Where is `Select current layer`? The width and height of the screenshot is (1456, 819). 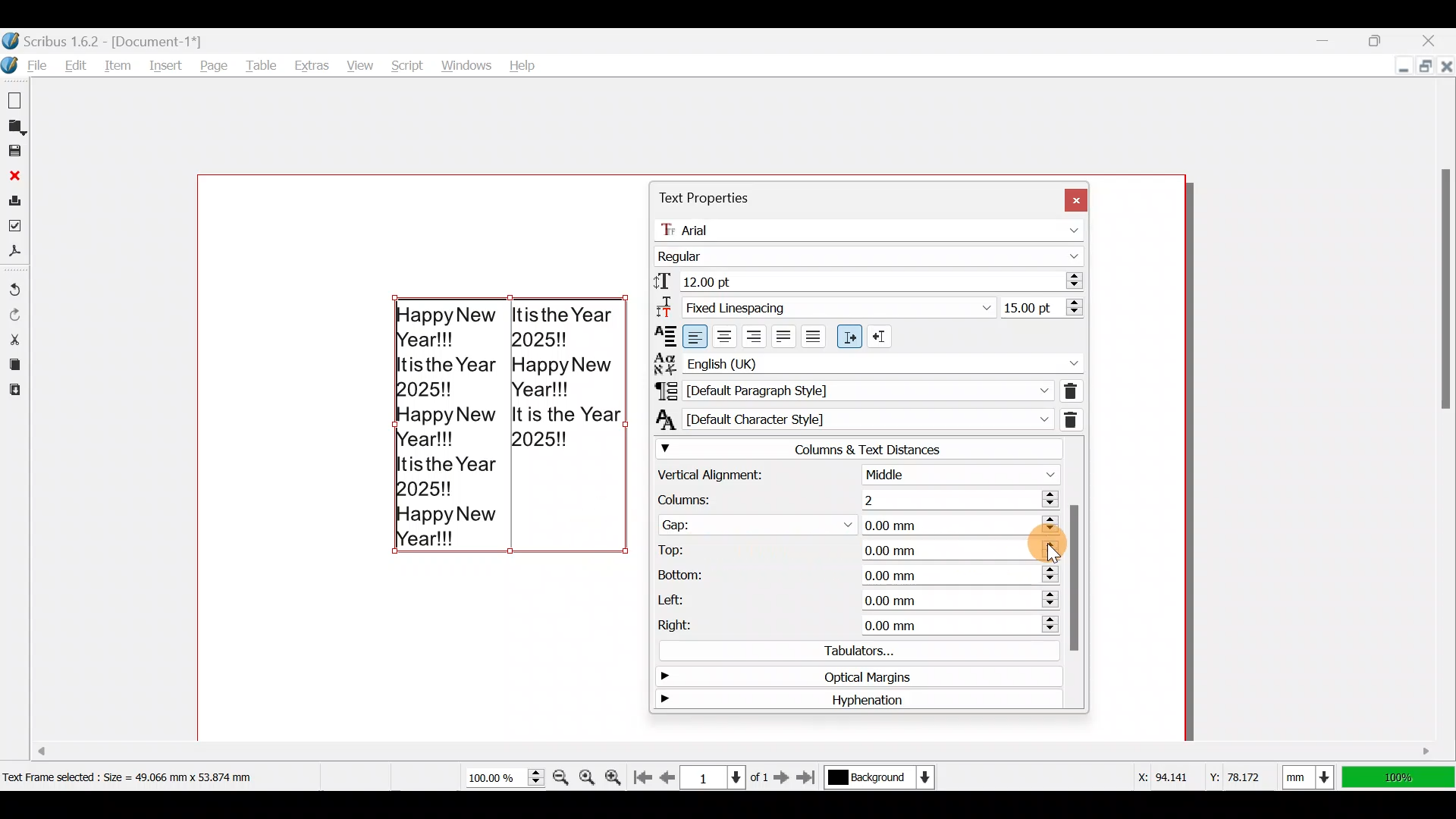
Select current layer is located at coordinates (878, 778).